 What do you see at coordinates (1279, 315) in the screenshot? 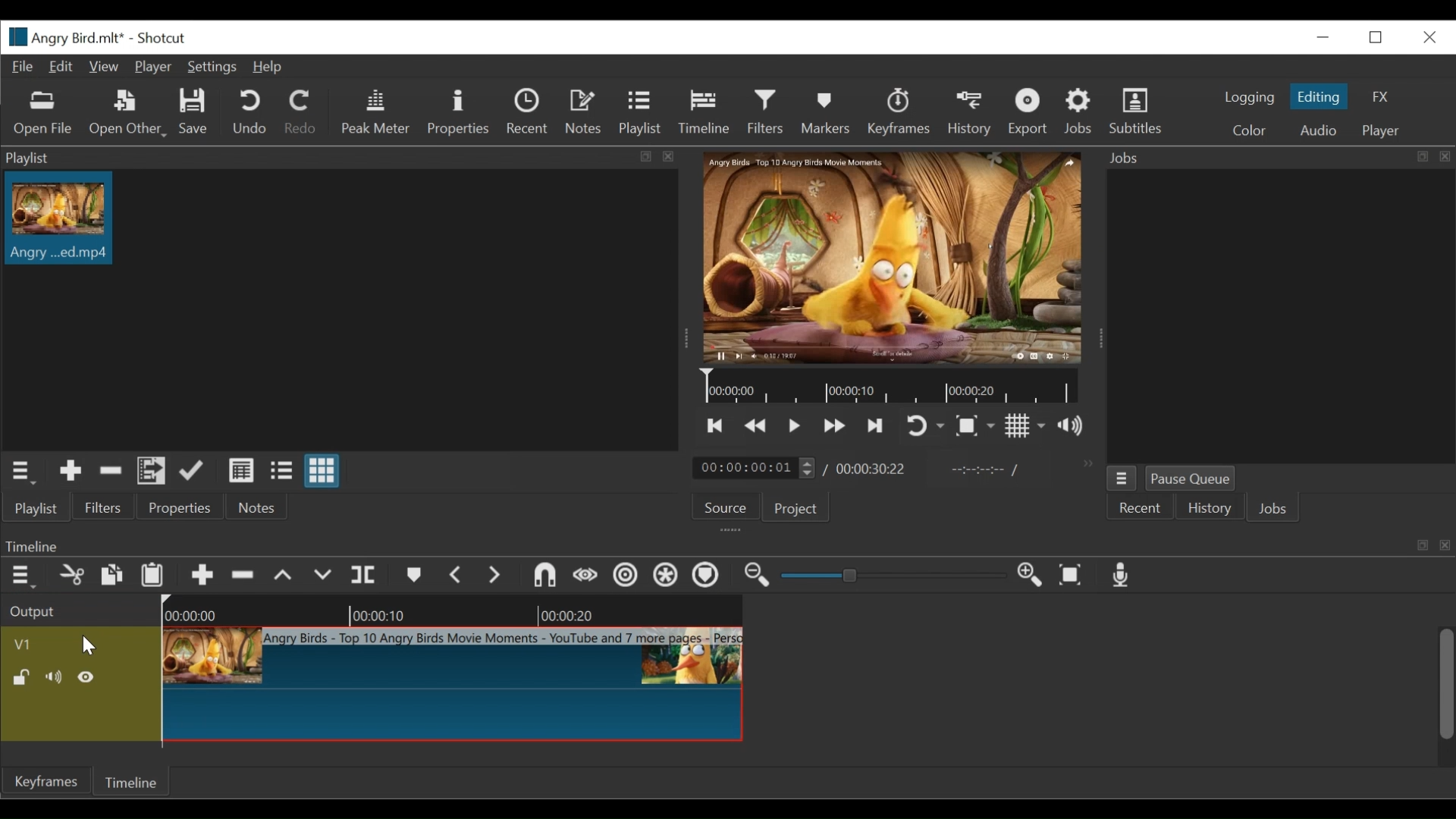
I see `Jobs Panel` at bounding box center [1279, 315].